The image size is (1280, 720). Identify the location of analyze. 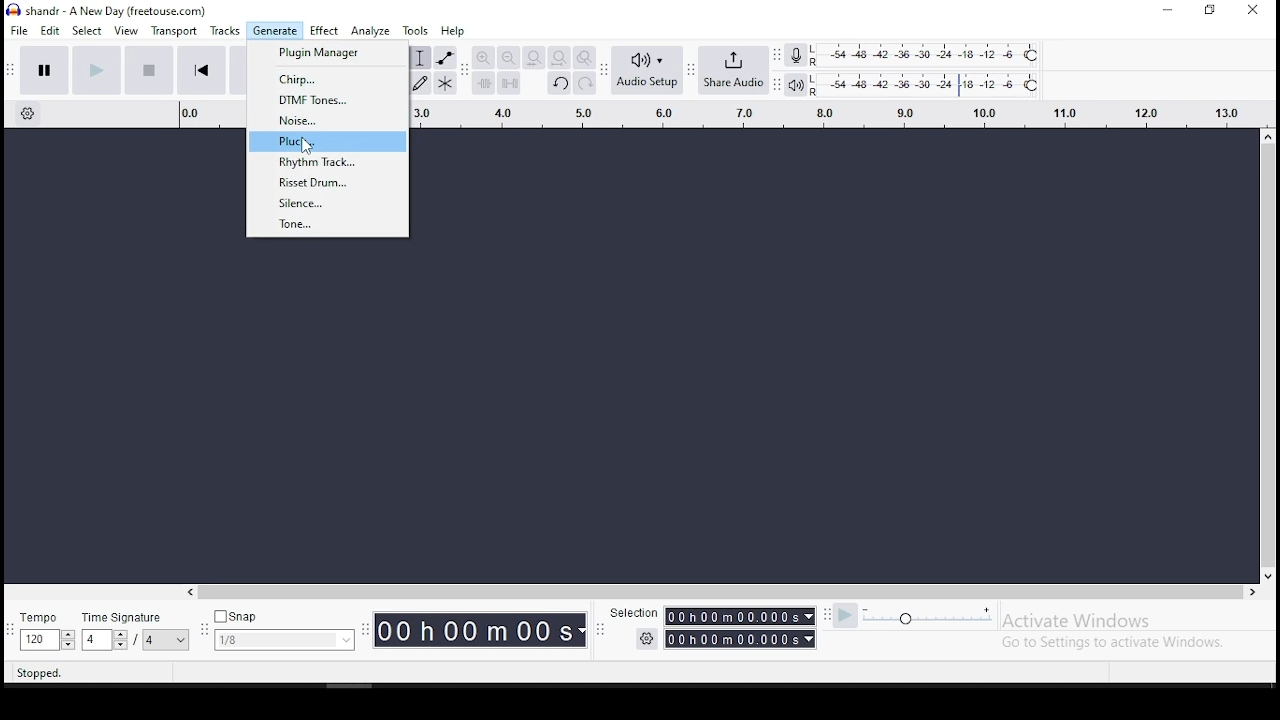
(369, 30).